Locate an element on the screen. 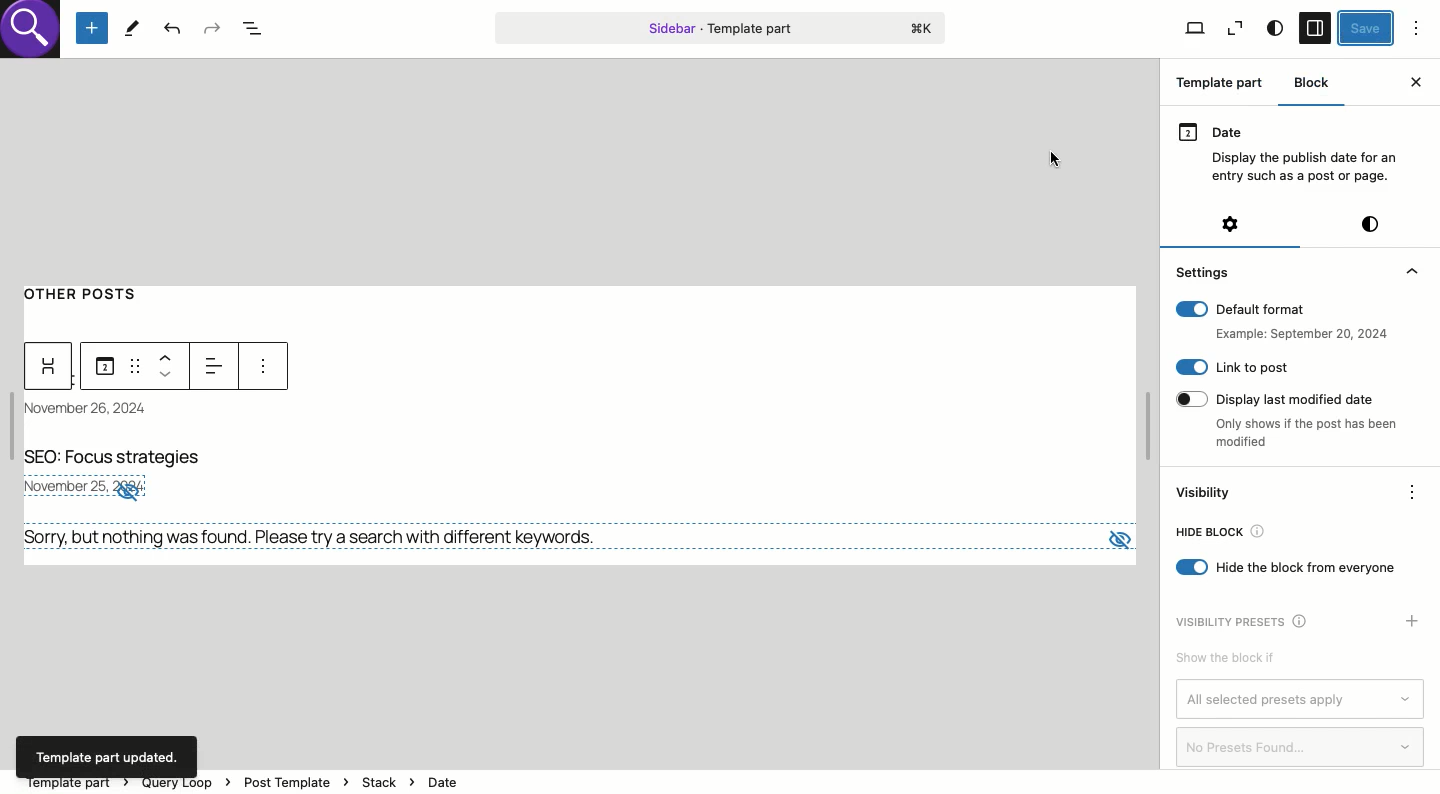 Image resolution: width=1440 pixels, height=794 pixels. Style is located at coordinates (1274, 29).